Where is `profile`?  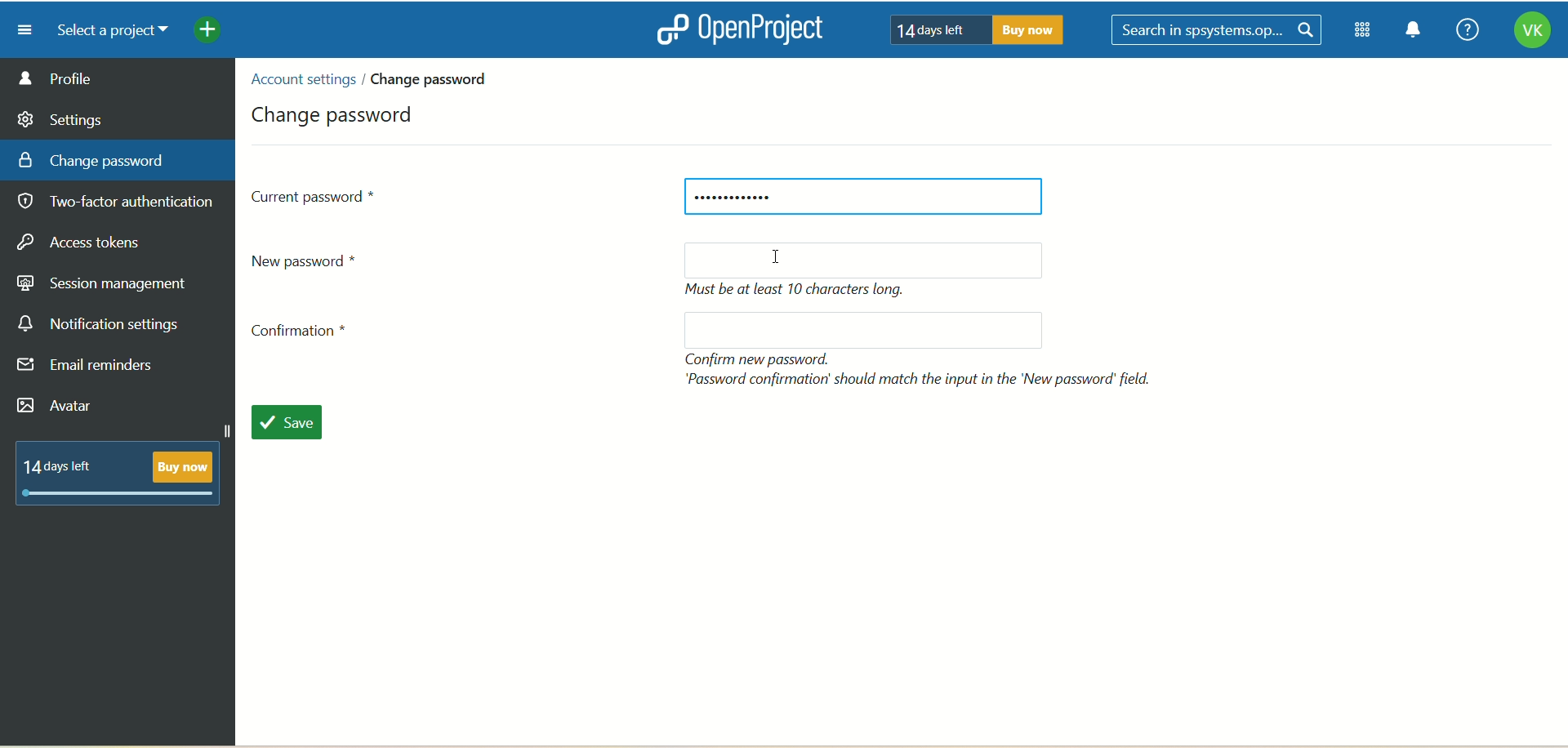
profile is located at coordinates (118, 78).